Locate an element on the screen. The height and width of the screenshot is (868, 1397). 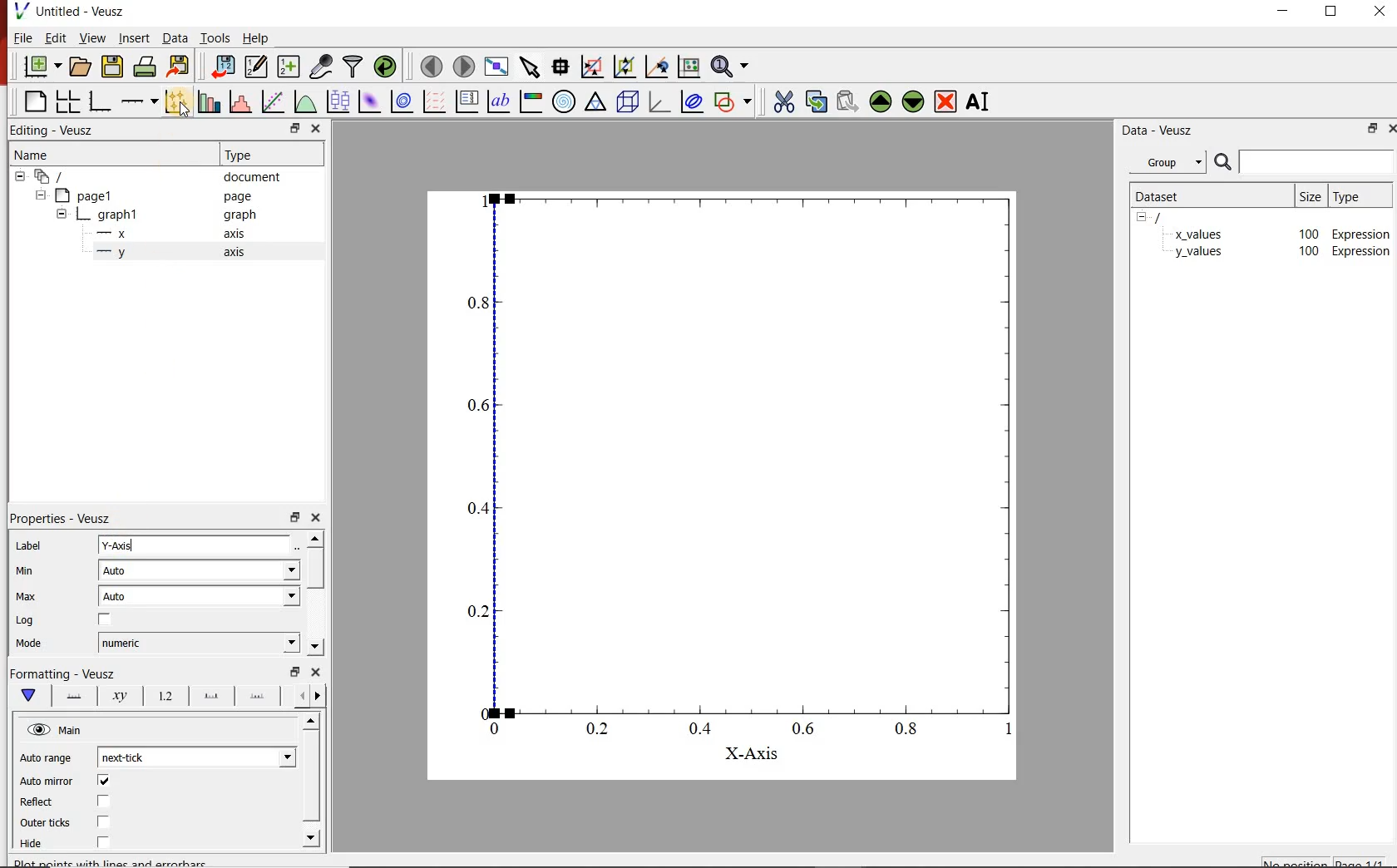
close is located at coordinates (1382, 13).